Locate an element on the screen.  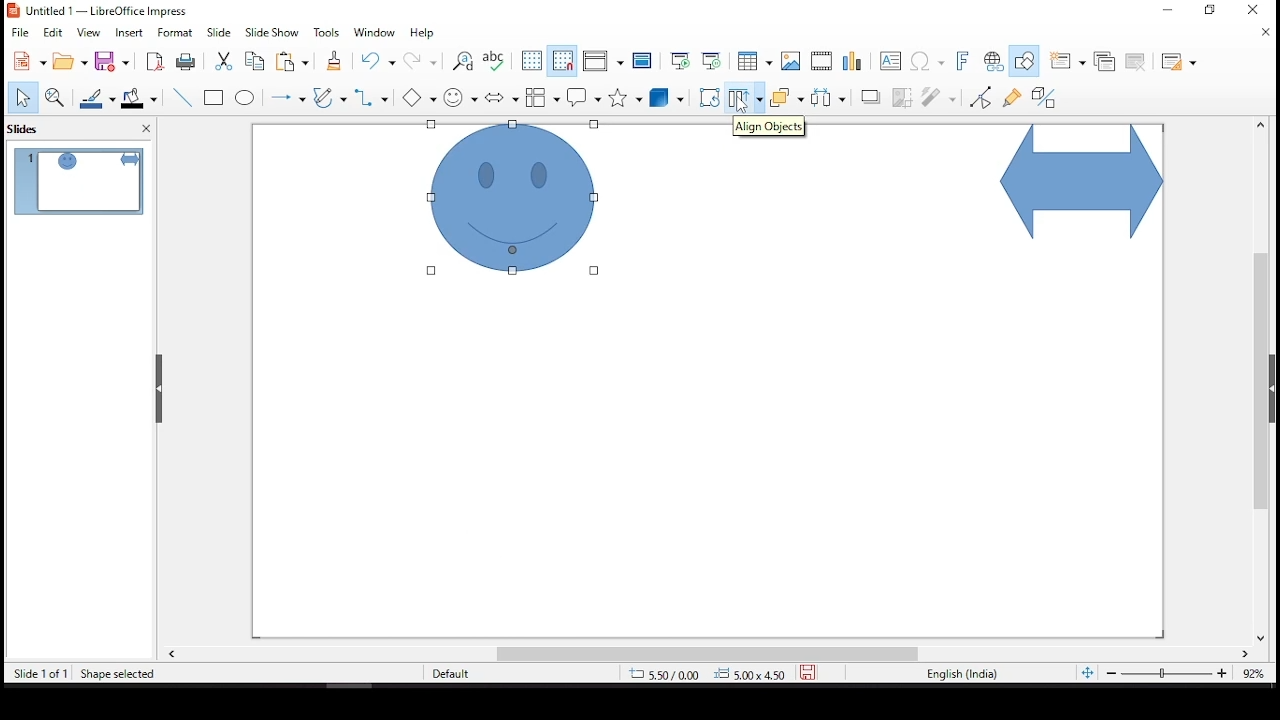
display grid is located at coordinates (531, 59).